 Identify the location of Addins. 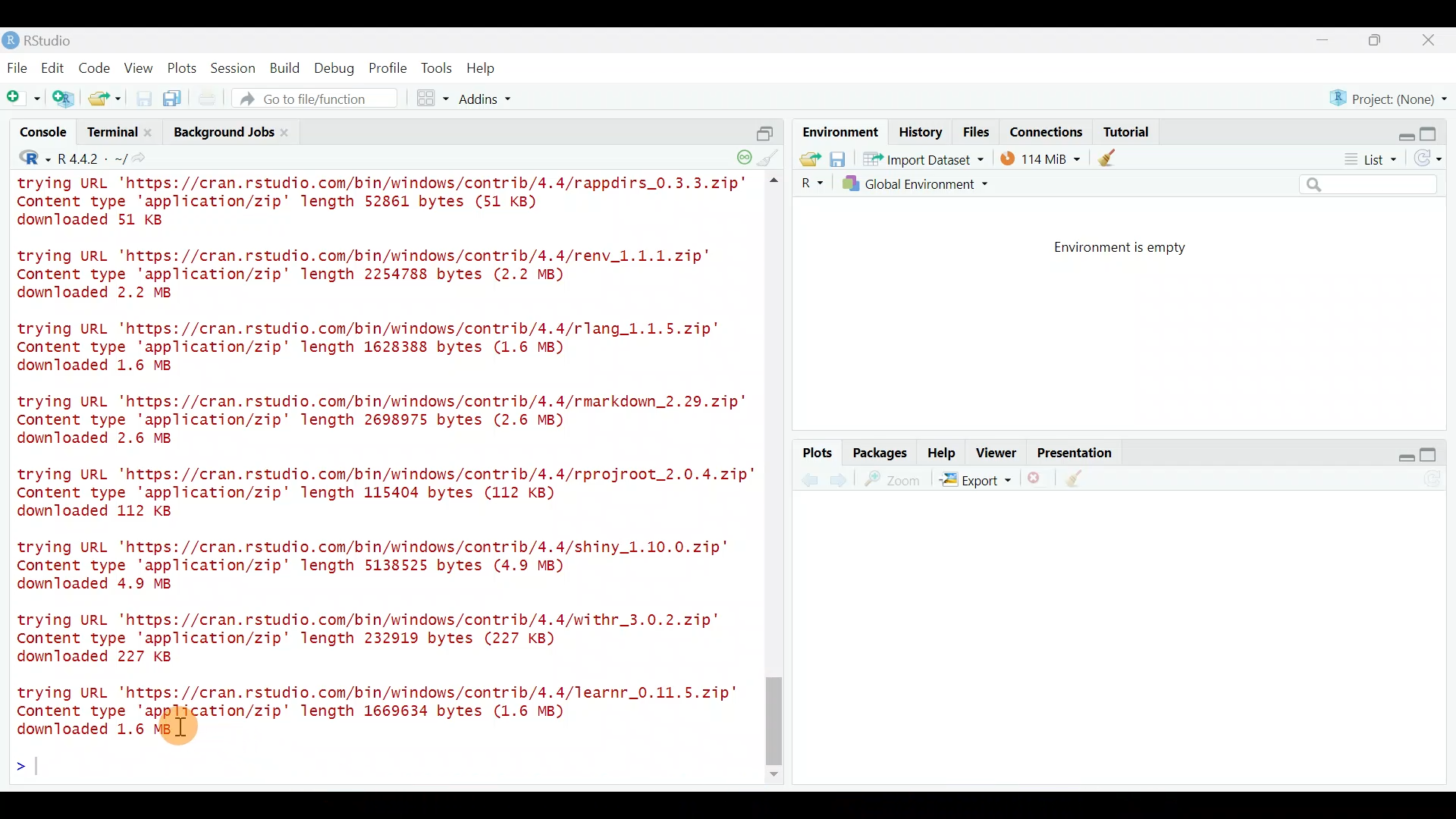
(487, 101).